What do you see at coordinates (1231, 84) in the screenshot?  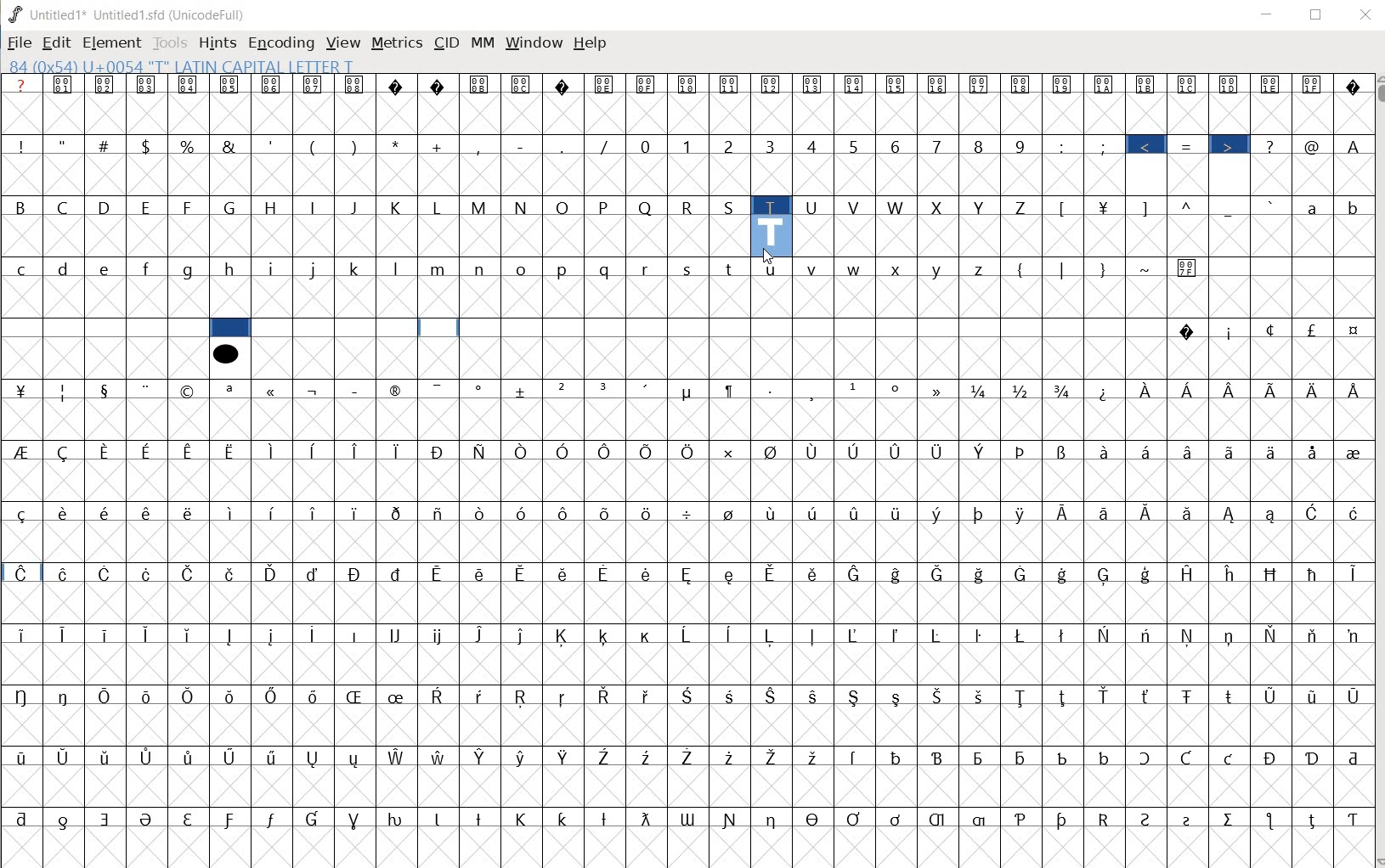 I see `Symbol` at bounding box center [1231, 84].